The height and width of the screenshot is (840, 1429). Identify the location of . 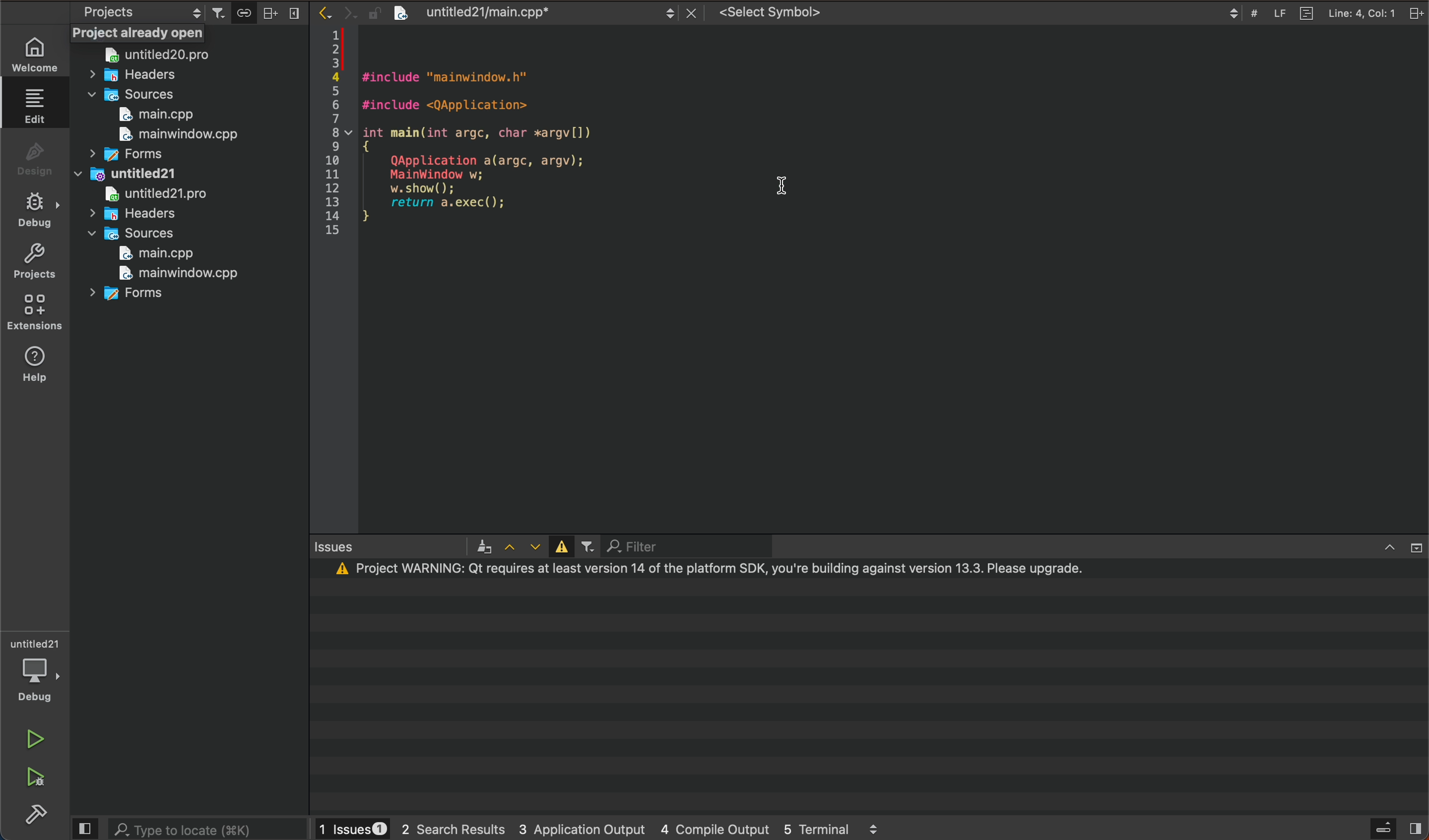
(209, 828).